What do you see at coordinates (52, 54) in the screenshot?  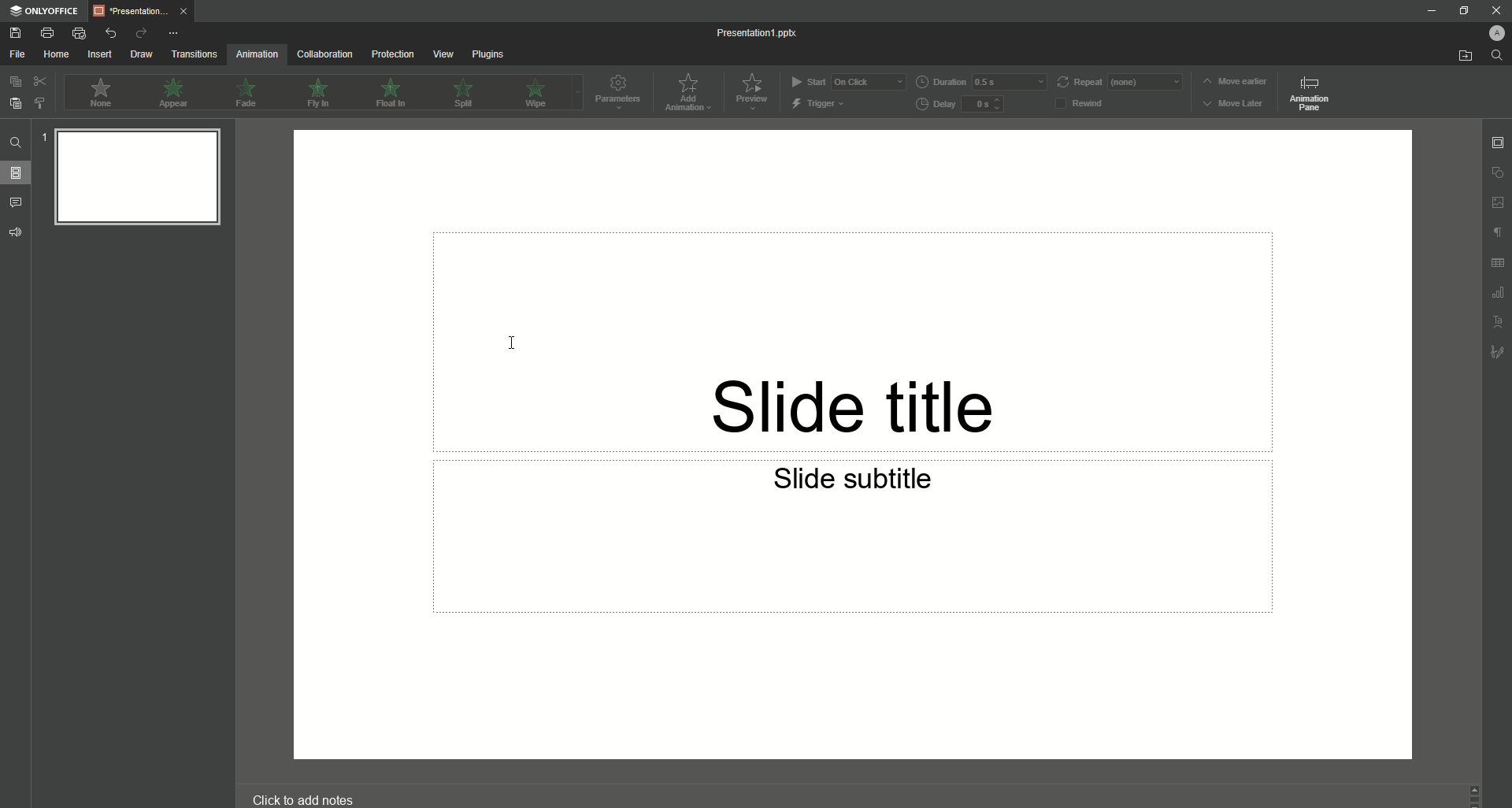 I see `Home` at bounding box center [52, 54].